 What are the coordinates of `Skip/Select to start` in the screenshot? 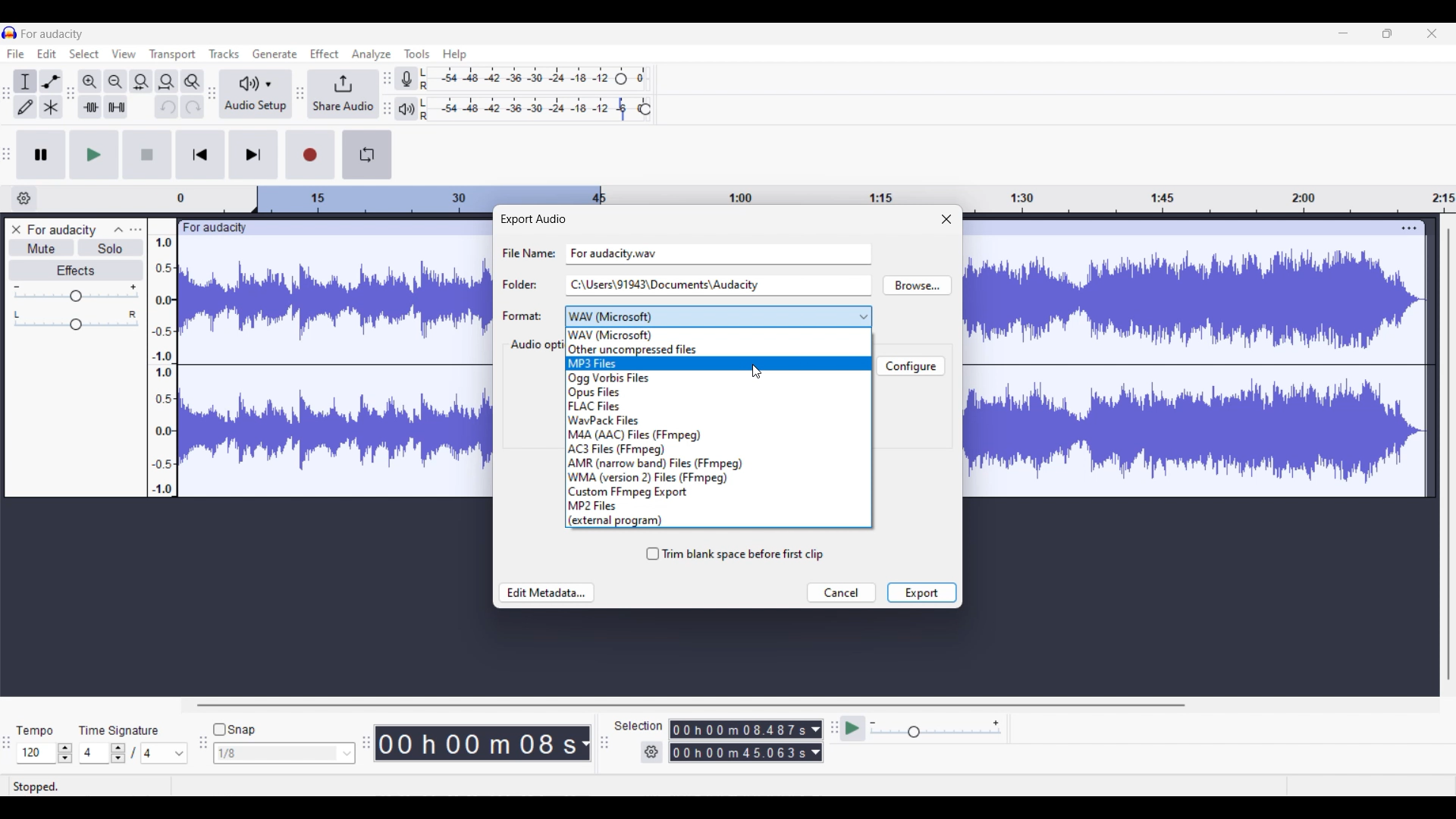 It's located at (200, 154).